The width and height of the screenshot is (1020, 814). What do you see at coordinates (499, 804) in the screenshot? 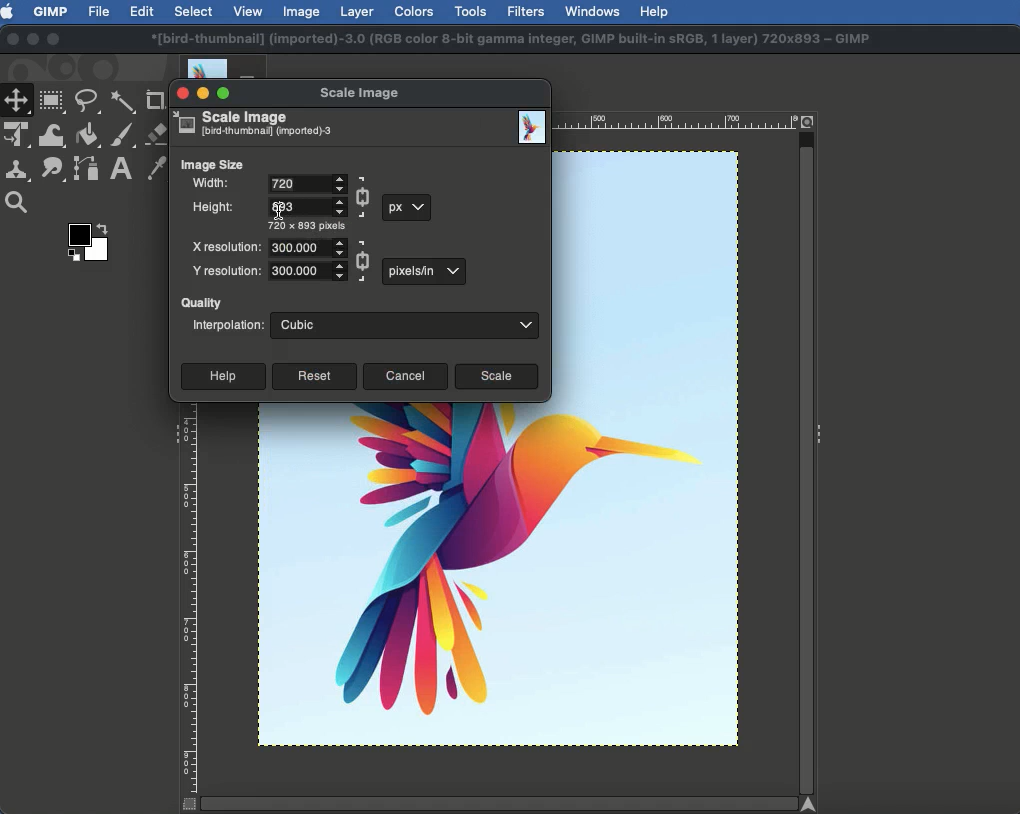
I see `Scroll` at bounding box center [499, 804].